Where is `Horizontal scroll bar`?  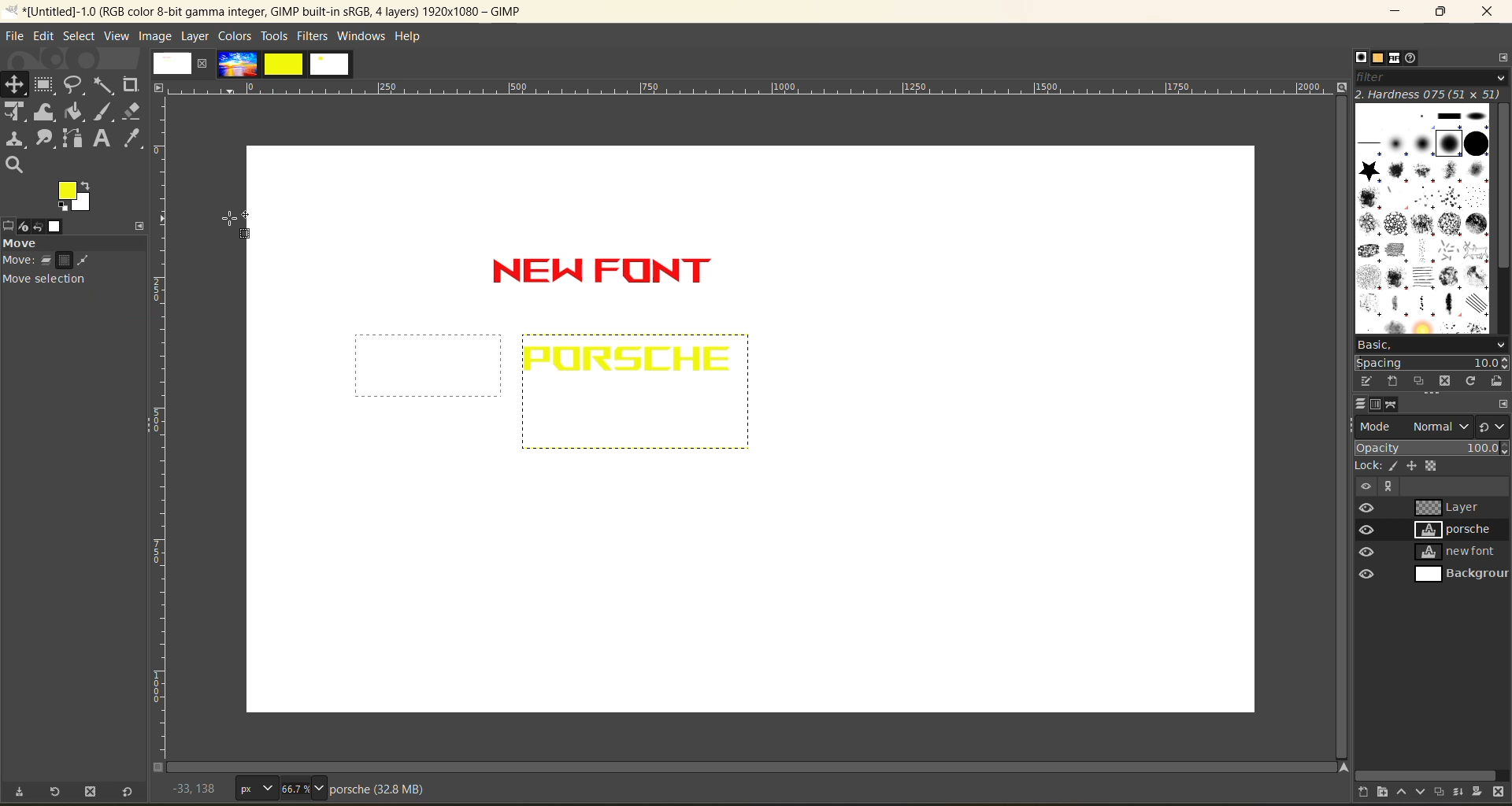 Horizontal scroll bar is located at coordinates (669, 763).